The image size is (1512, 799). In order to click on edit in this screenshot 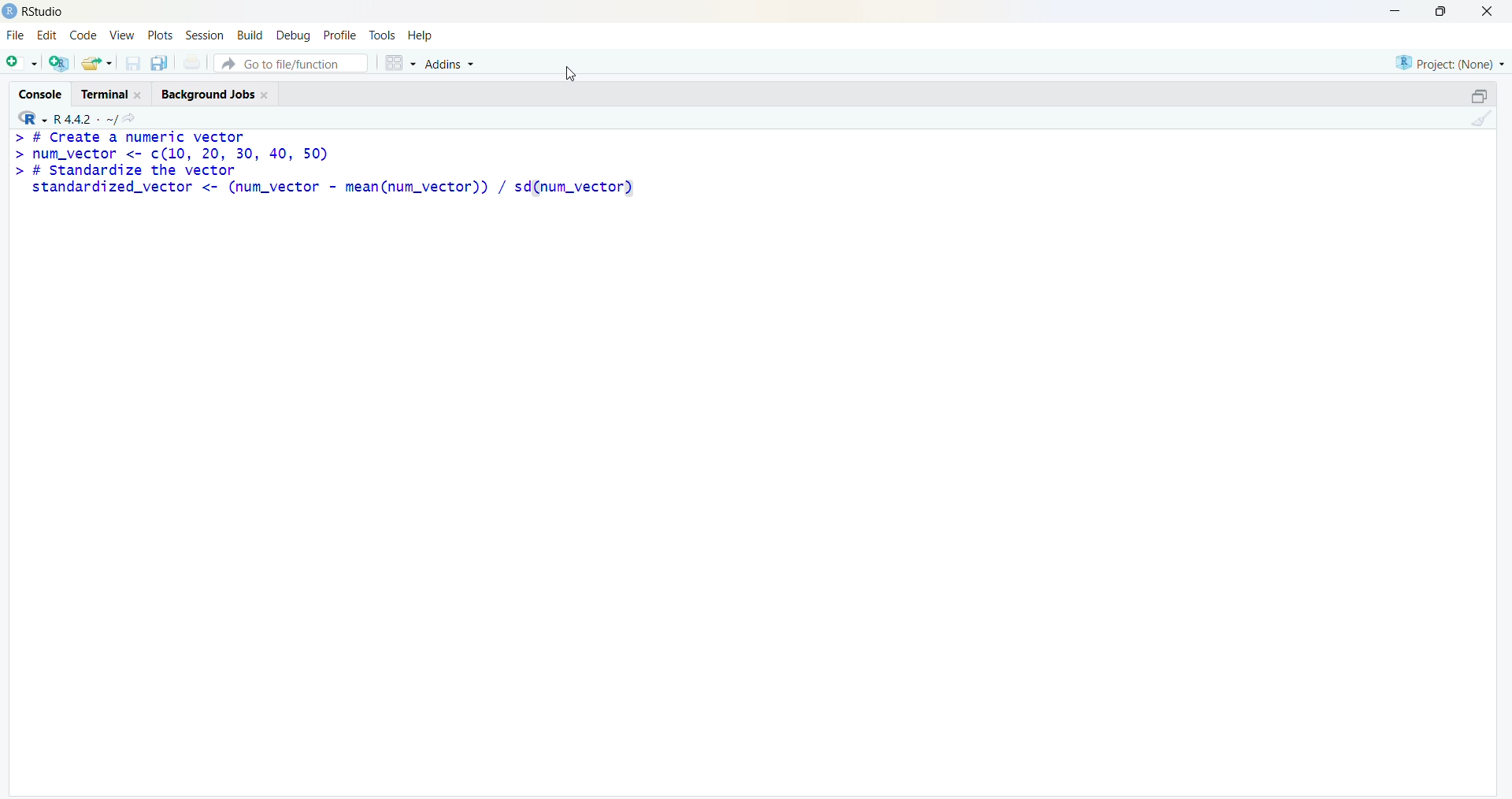, I will do `click(47, 35)`.